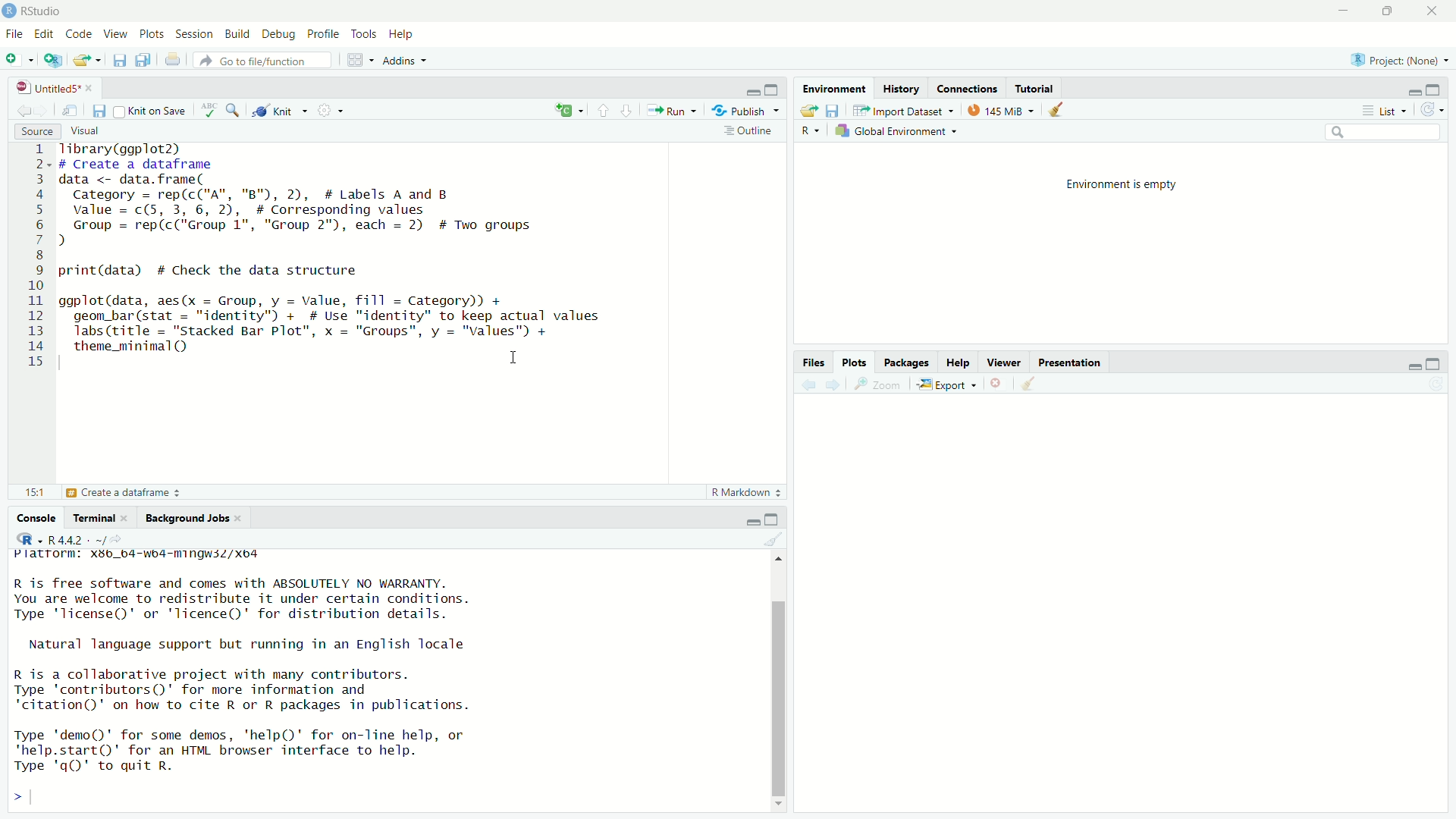 Image resolution: width=1456 pixels, height=819 pixels. Describe the element at coordinates (1125, 184) in the screenshot. I see `Environment is empty` at that location.